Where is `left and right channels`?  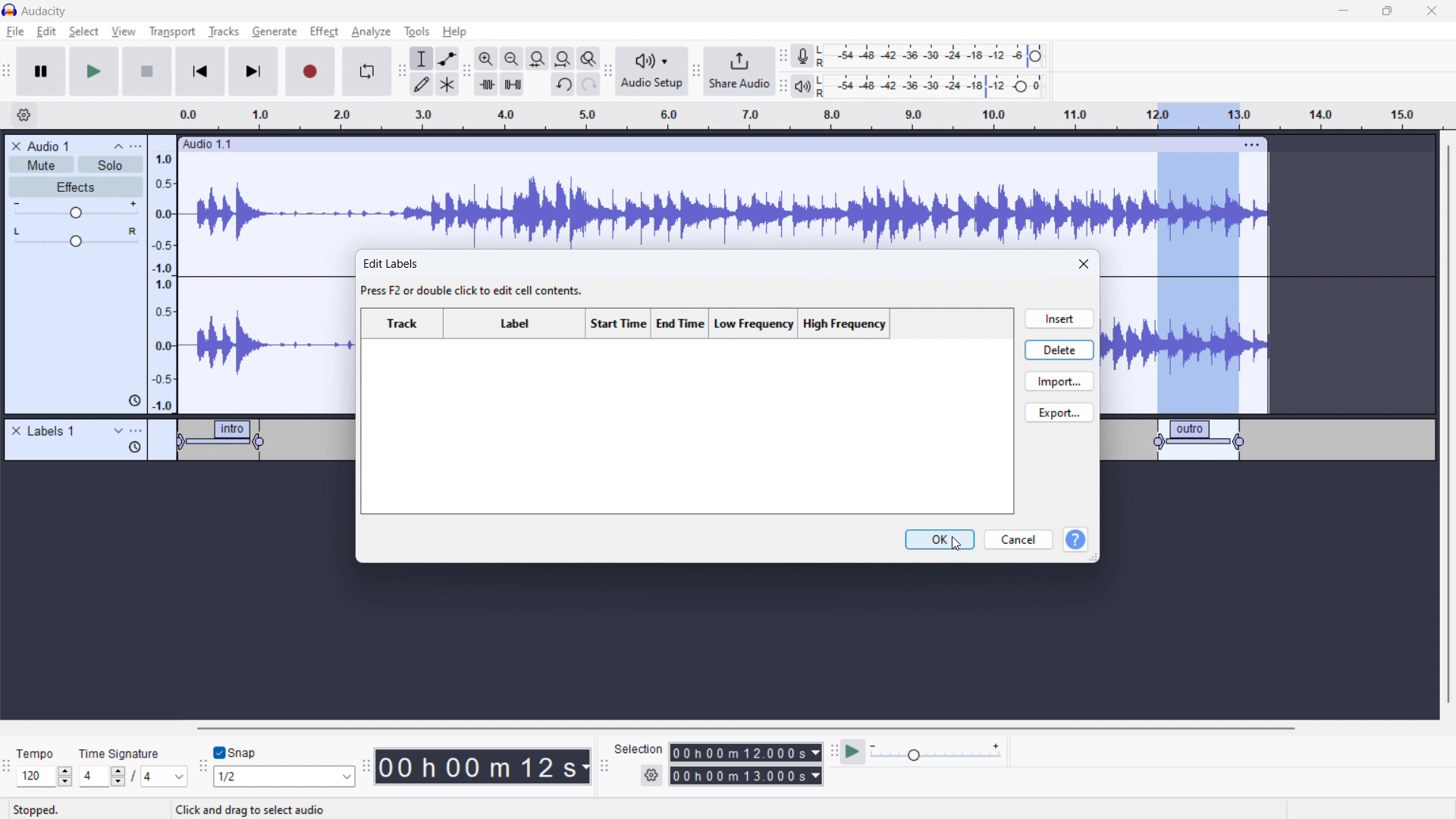 left and right channels is located at coordinates (824, 58).